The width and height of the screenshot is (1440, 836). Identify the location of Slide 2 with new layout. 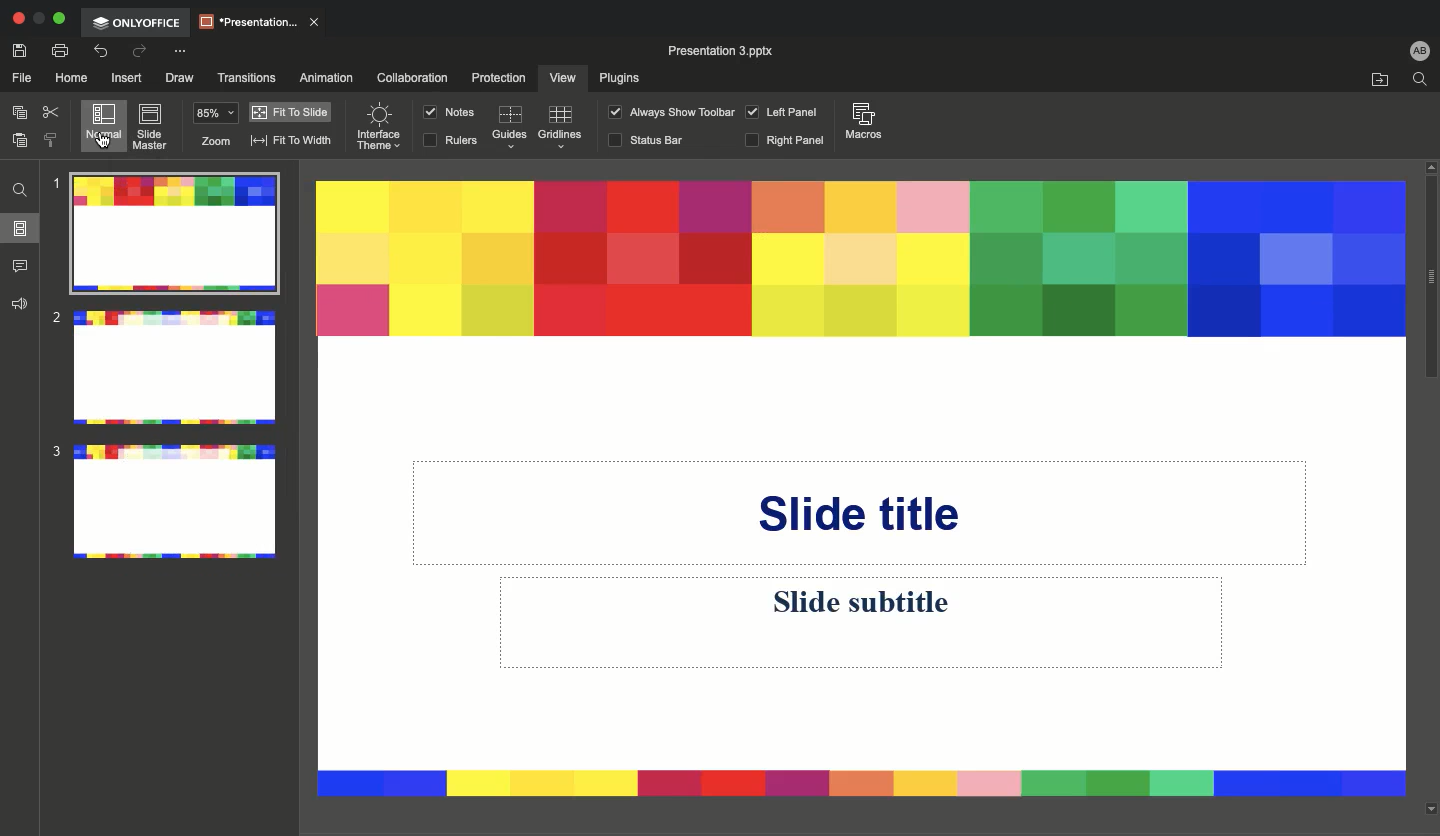
(167, 363).